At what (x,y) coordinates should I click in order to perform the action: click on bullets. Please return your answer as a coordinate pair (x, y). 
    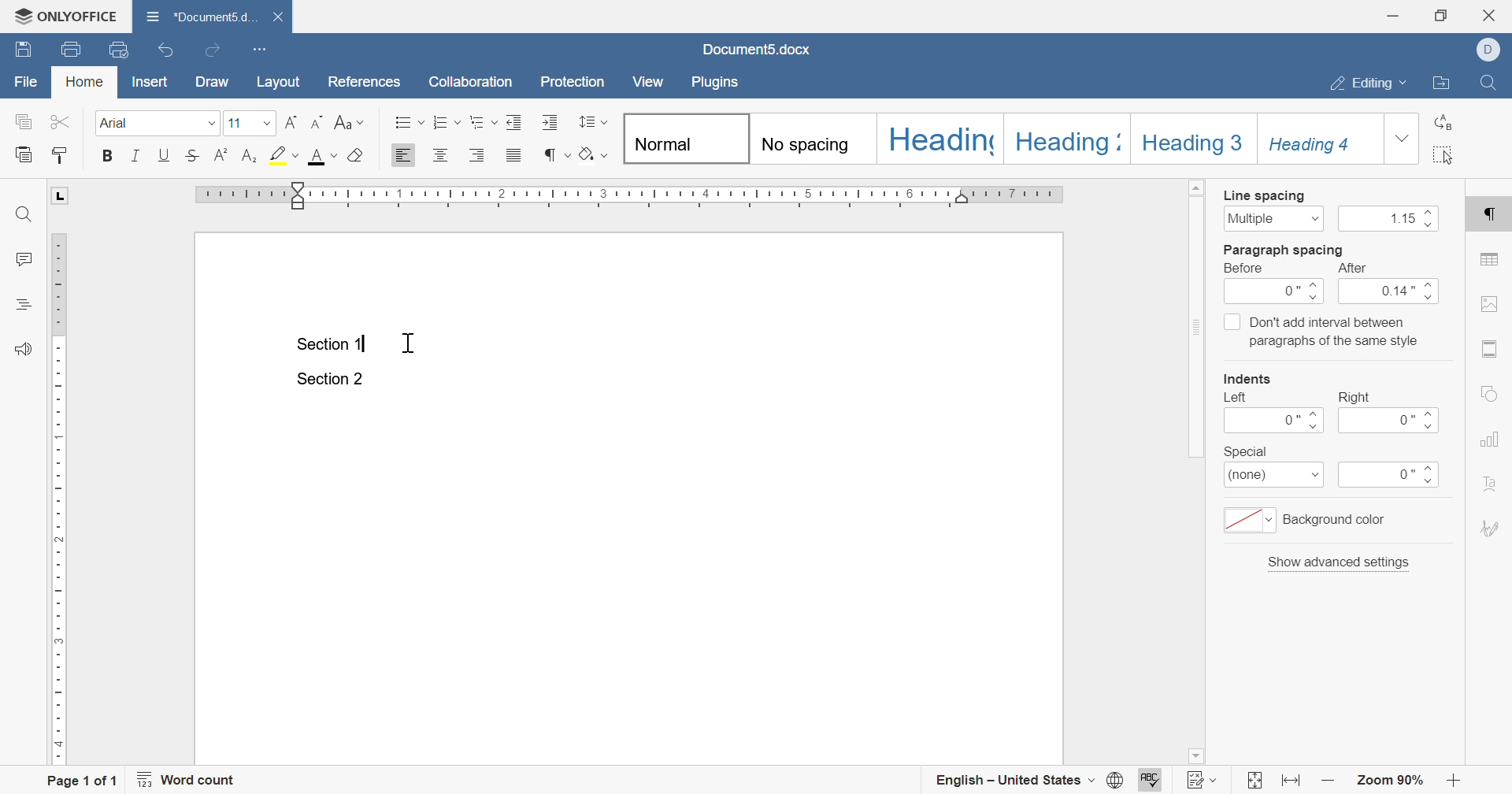
    Looking at the image, I should click on (409, 122).